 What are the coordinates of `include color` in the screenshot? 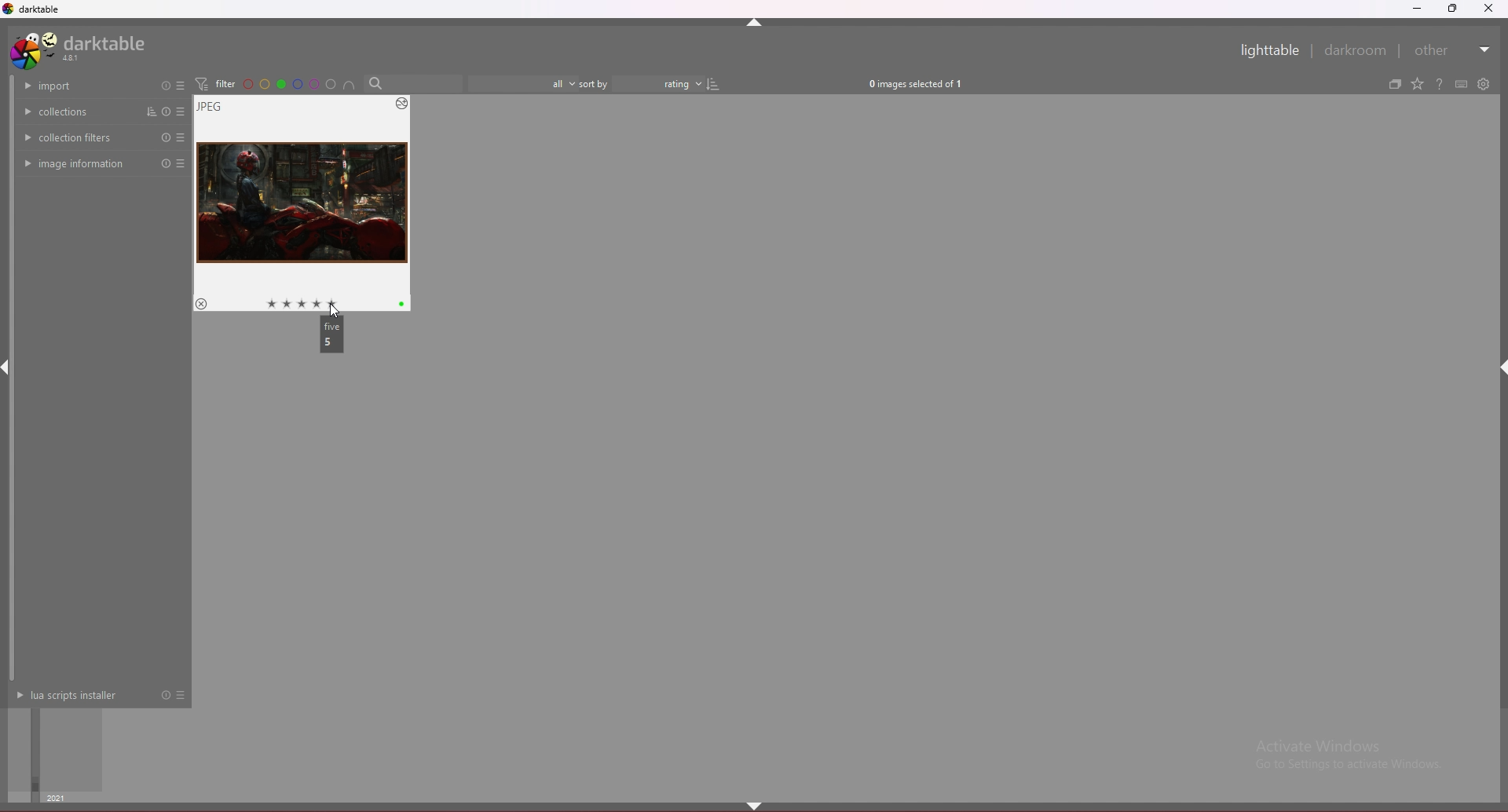 It's located at (349, 85).